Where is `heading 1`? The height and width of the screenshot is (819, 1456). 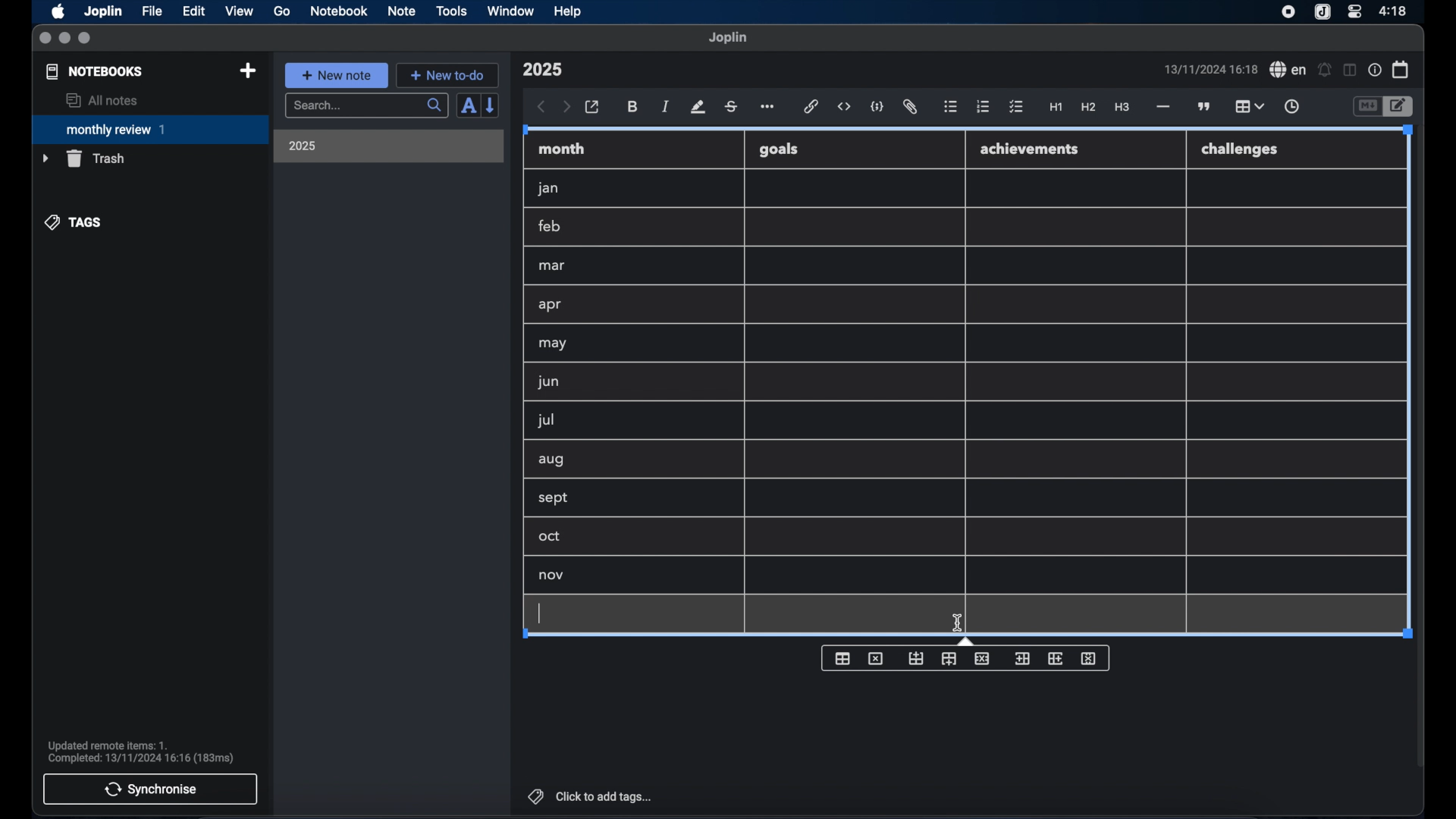
heading 1 is located at coordinates (1056, 108).